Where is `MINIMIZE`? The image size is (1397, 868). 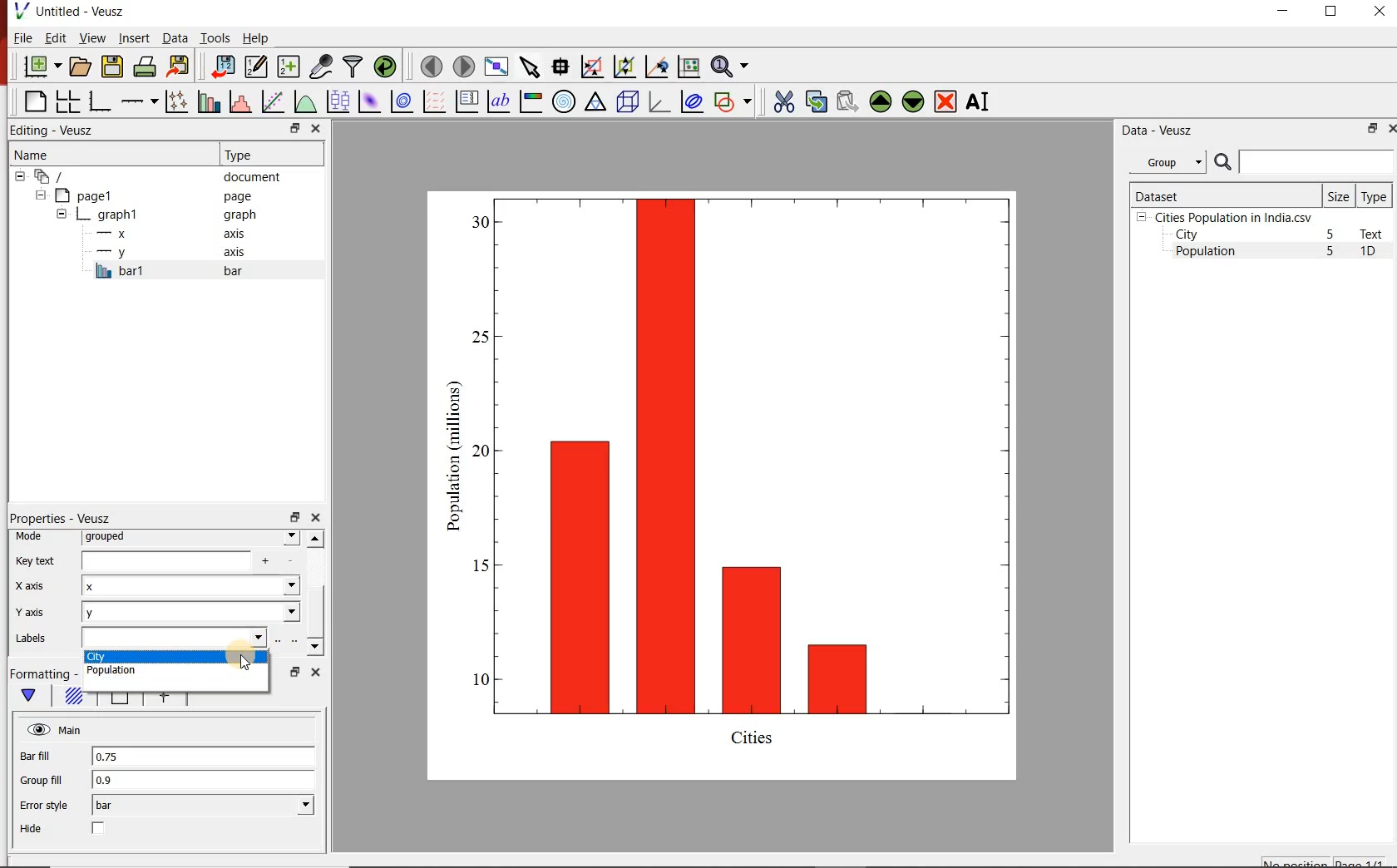
MINIMIZE is located at coordinates (1284, 11).